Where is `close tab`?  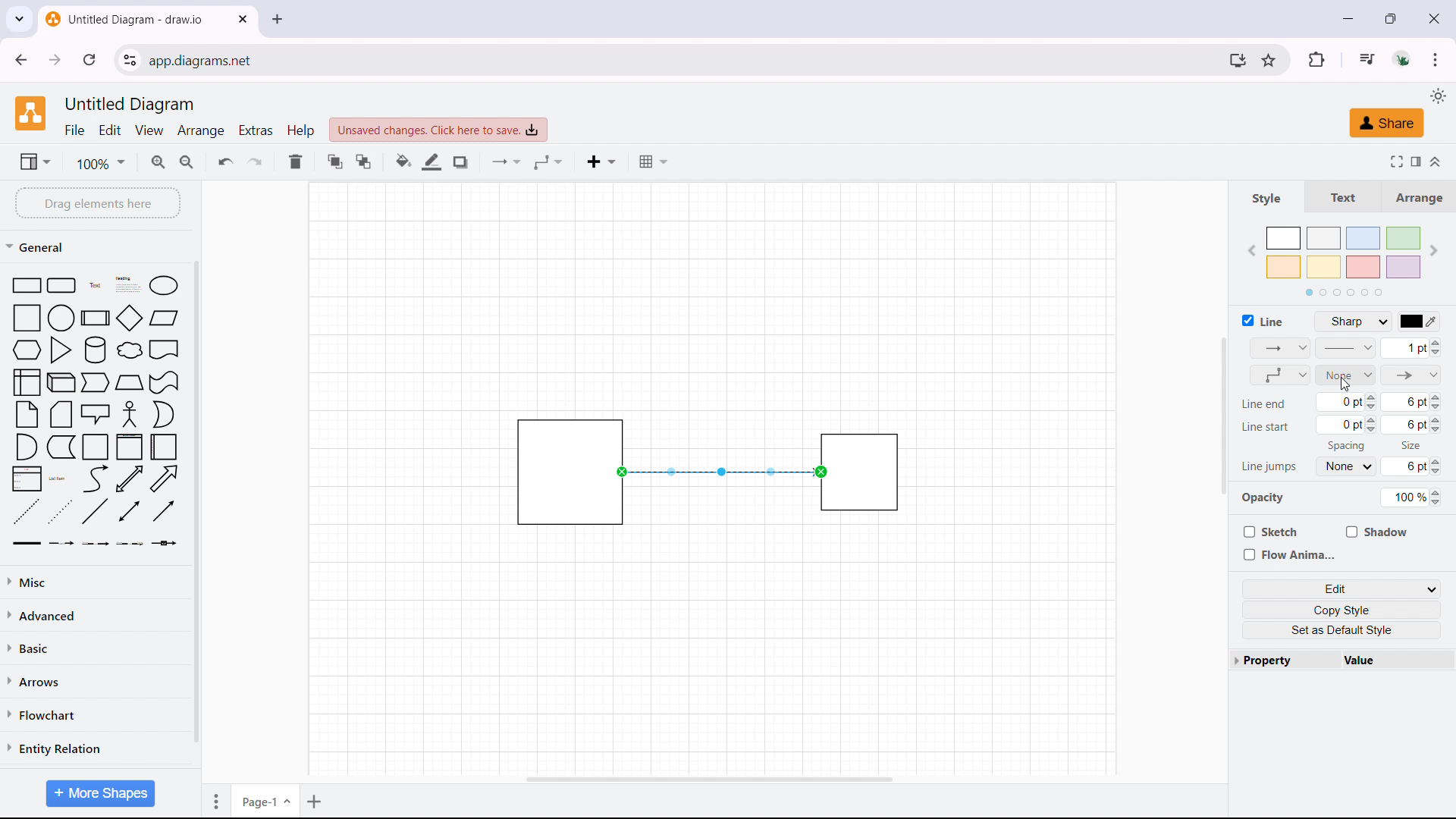
close tab is located at coordinates (243, 19).